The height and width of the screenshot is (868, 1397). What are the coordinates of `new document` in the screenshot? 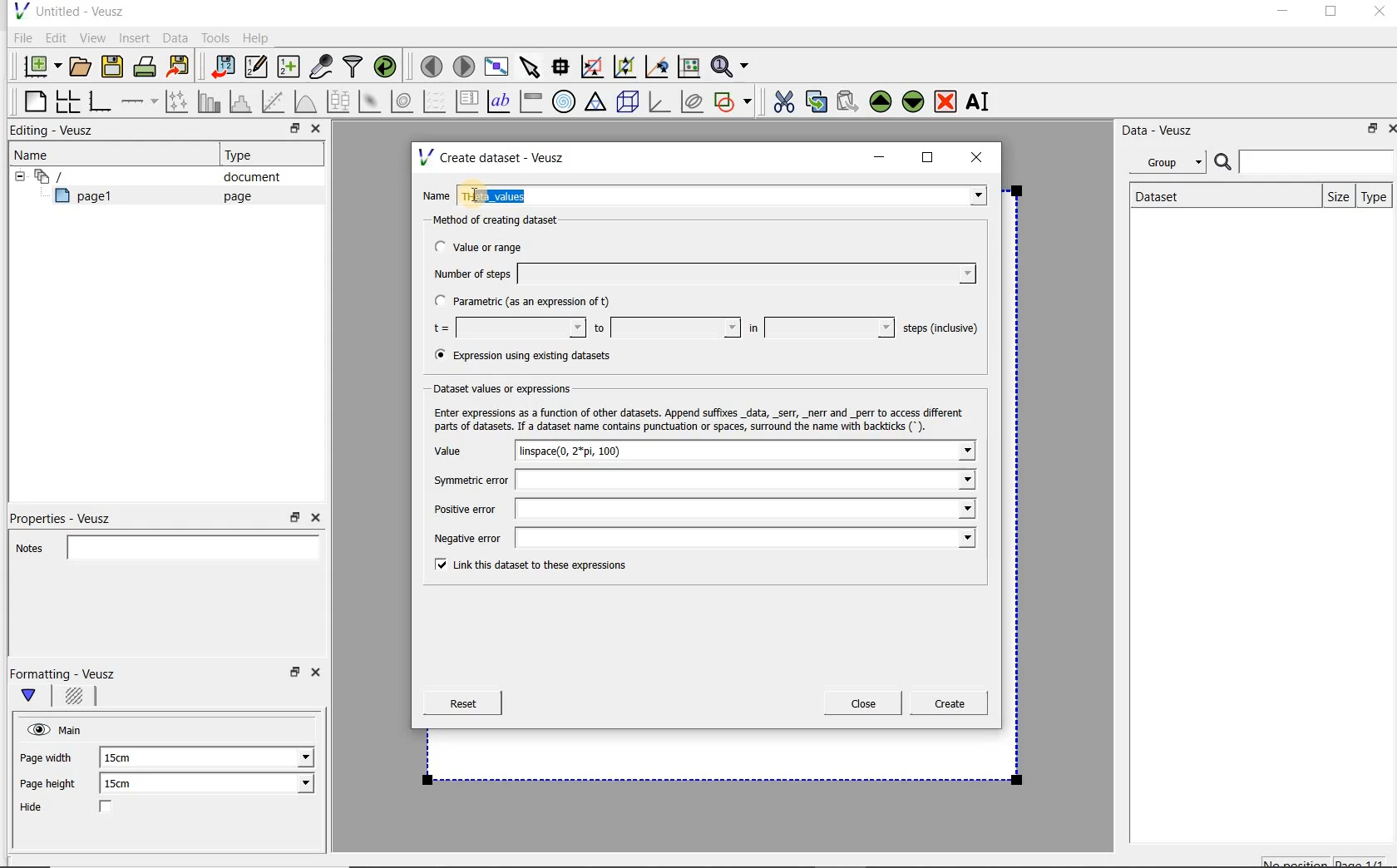 It's located at (38, 64).